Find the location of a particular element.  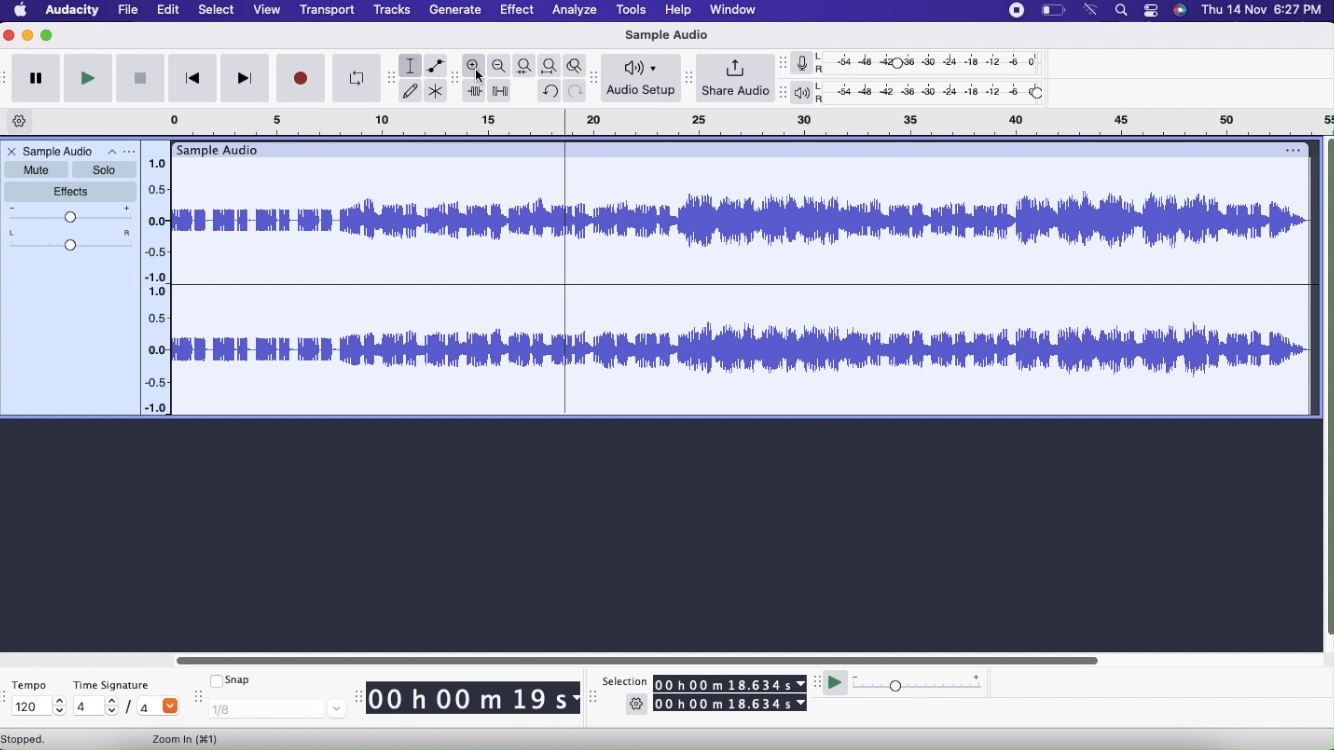

Effects is located at coordinates (70, 193).